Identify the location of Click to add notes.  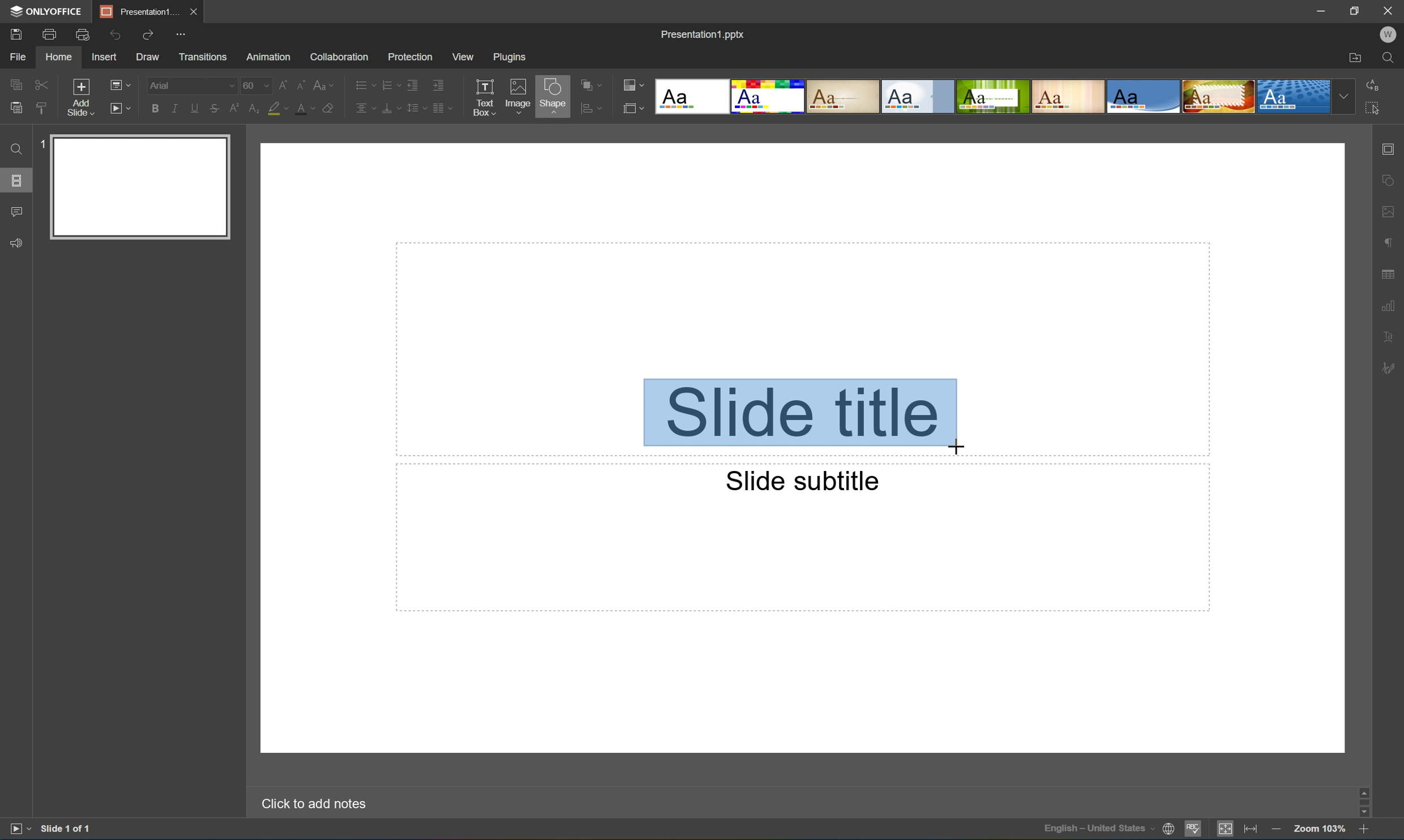
(310, 804).